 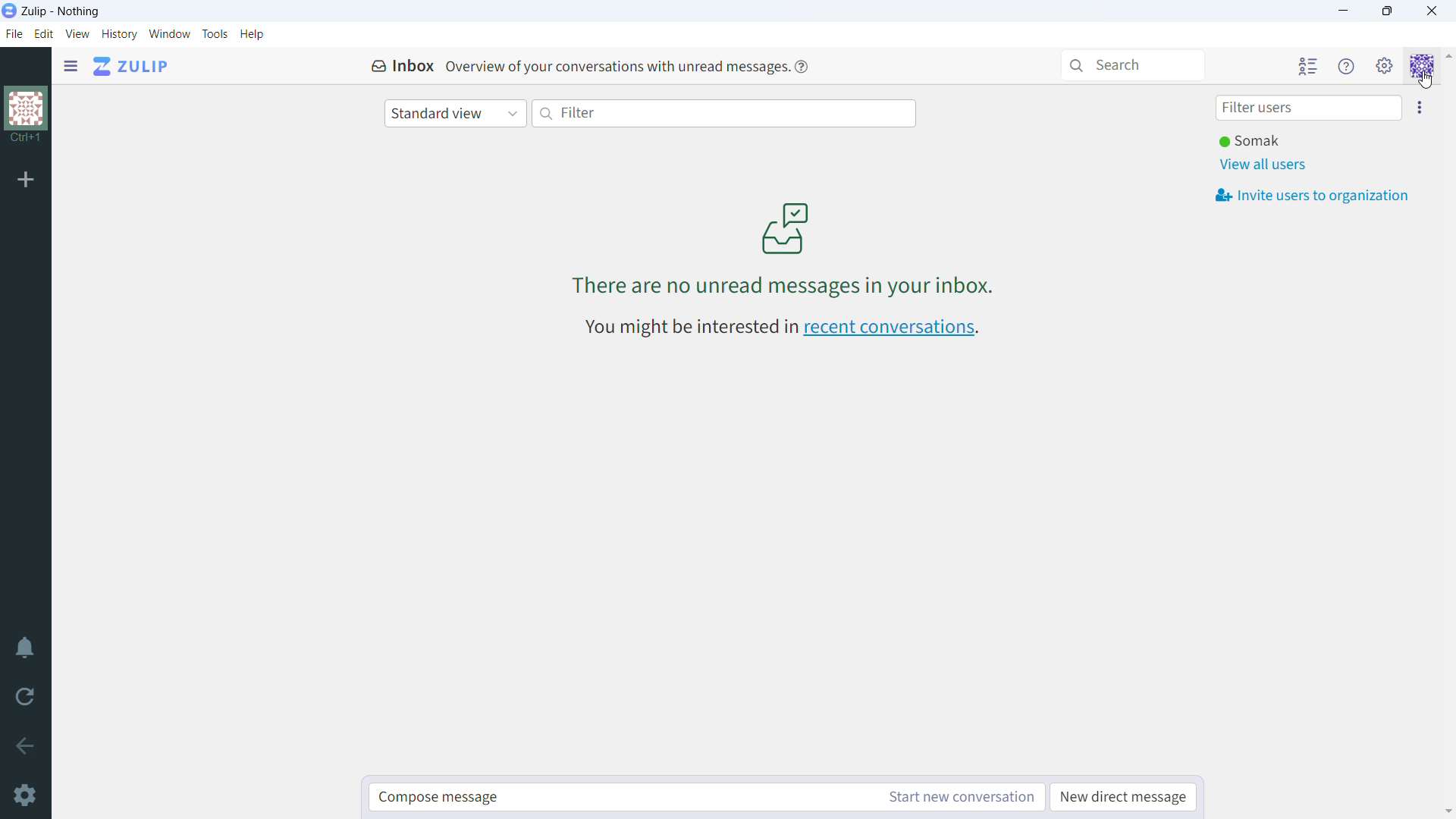 I want to click on close, so click(x=1432, y=11).